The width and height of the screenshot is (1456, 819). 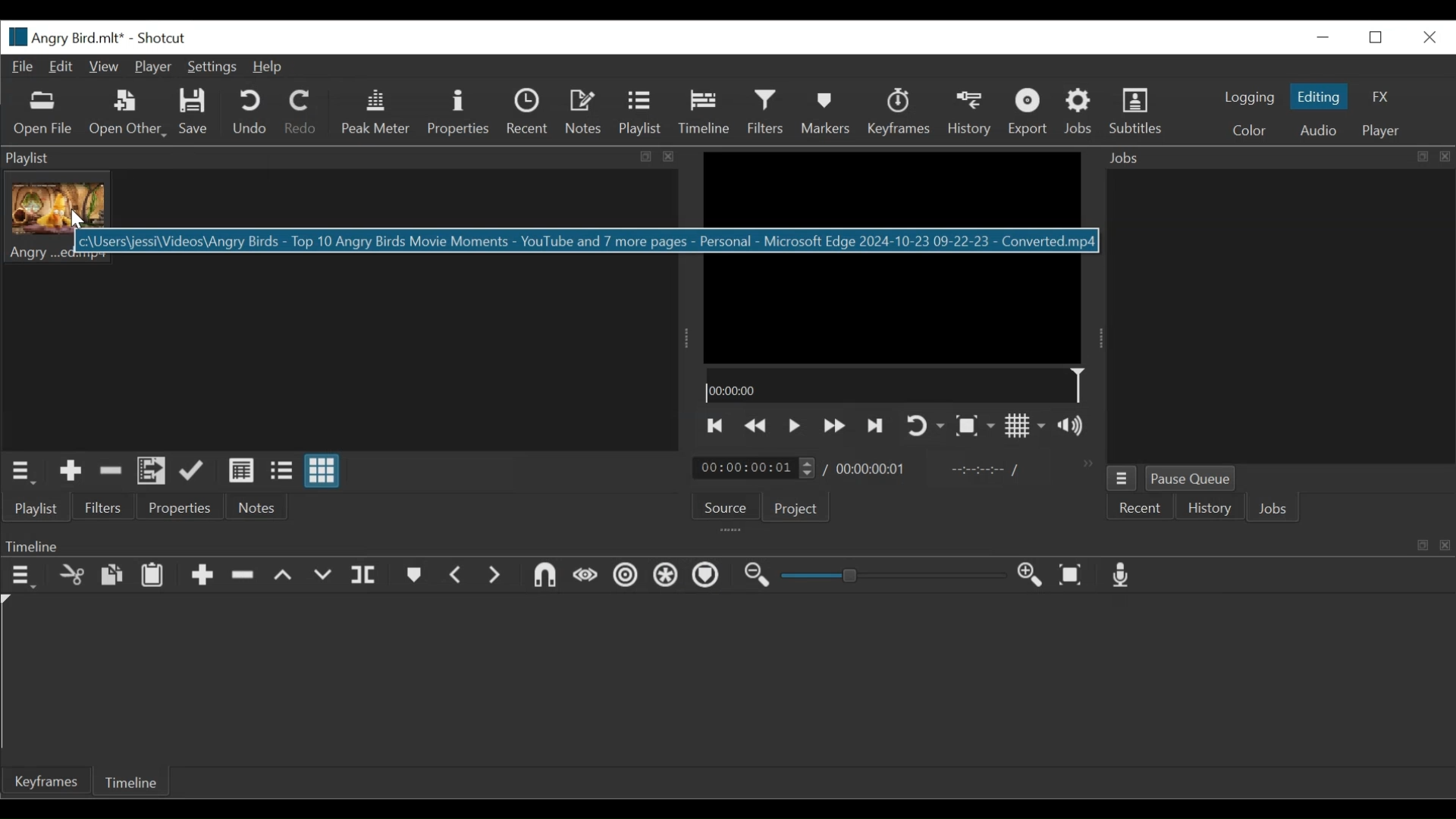 I want to click on File, so click(x=22, y=69).